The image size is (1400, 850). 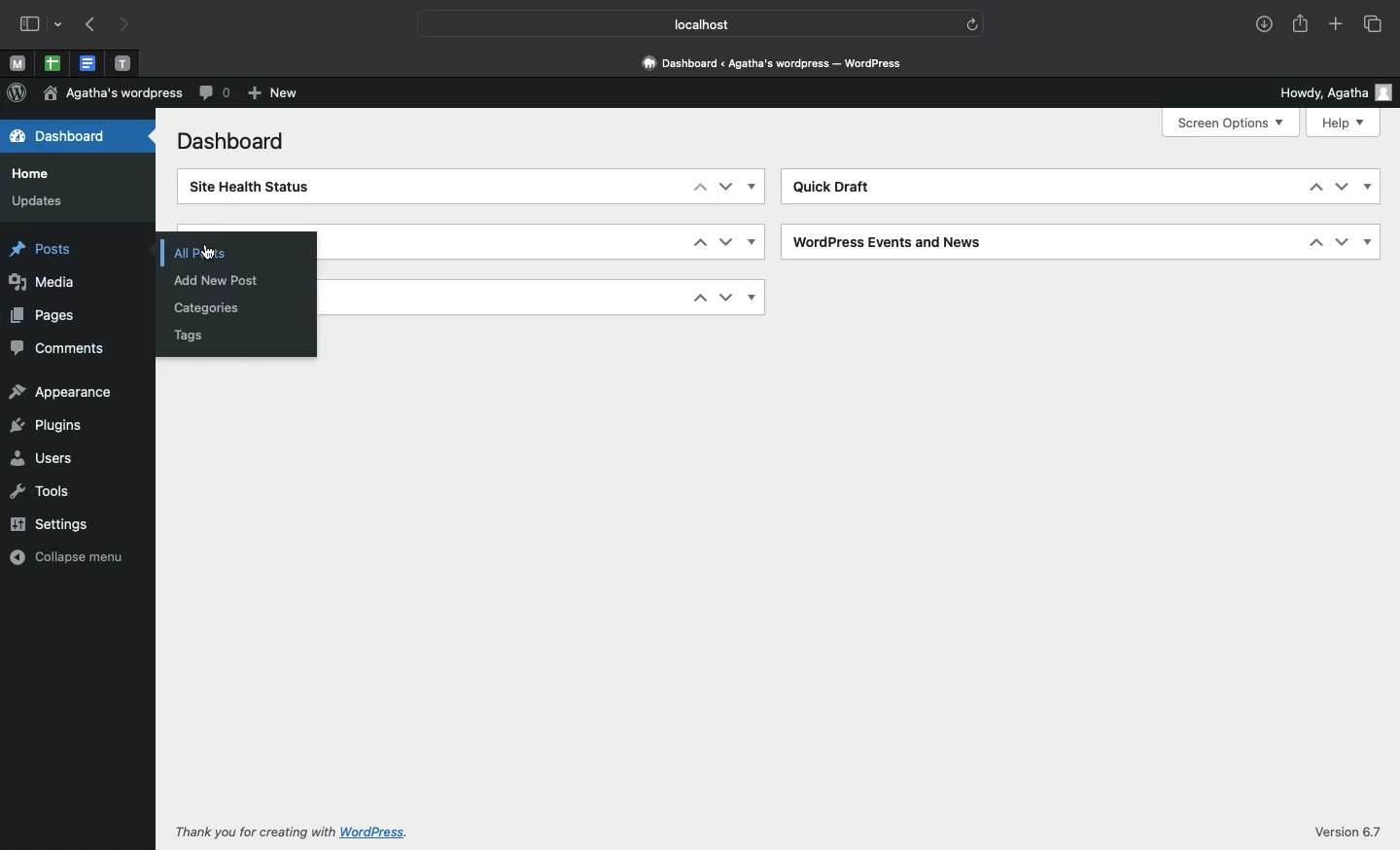 What do you see at coordinates (253, 187) in the screenshot?
I see `Site health status` at bounding box center [253, 187].